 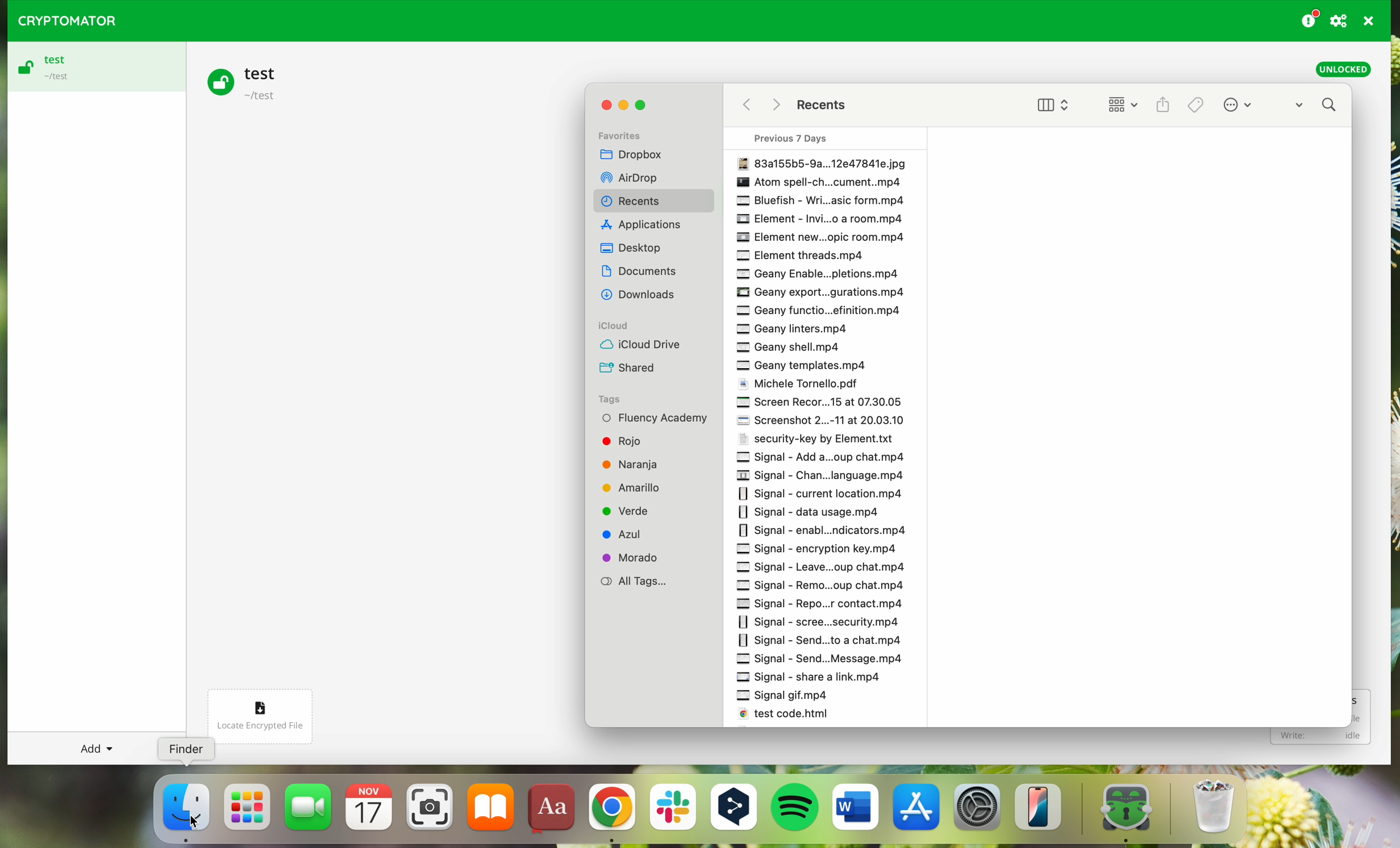 I want to click on launchpad, so click(x=248, y=807).